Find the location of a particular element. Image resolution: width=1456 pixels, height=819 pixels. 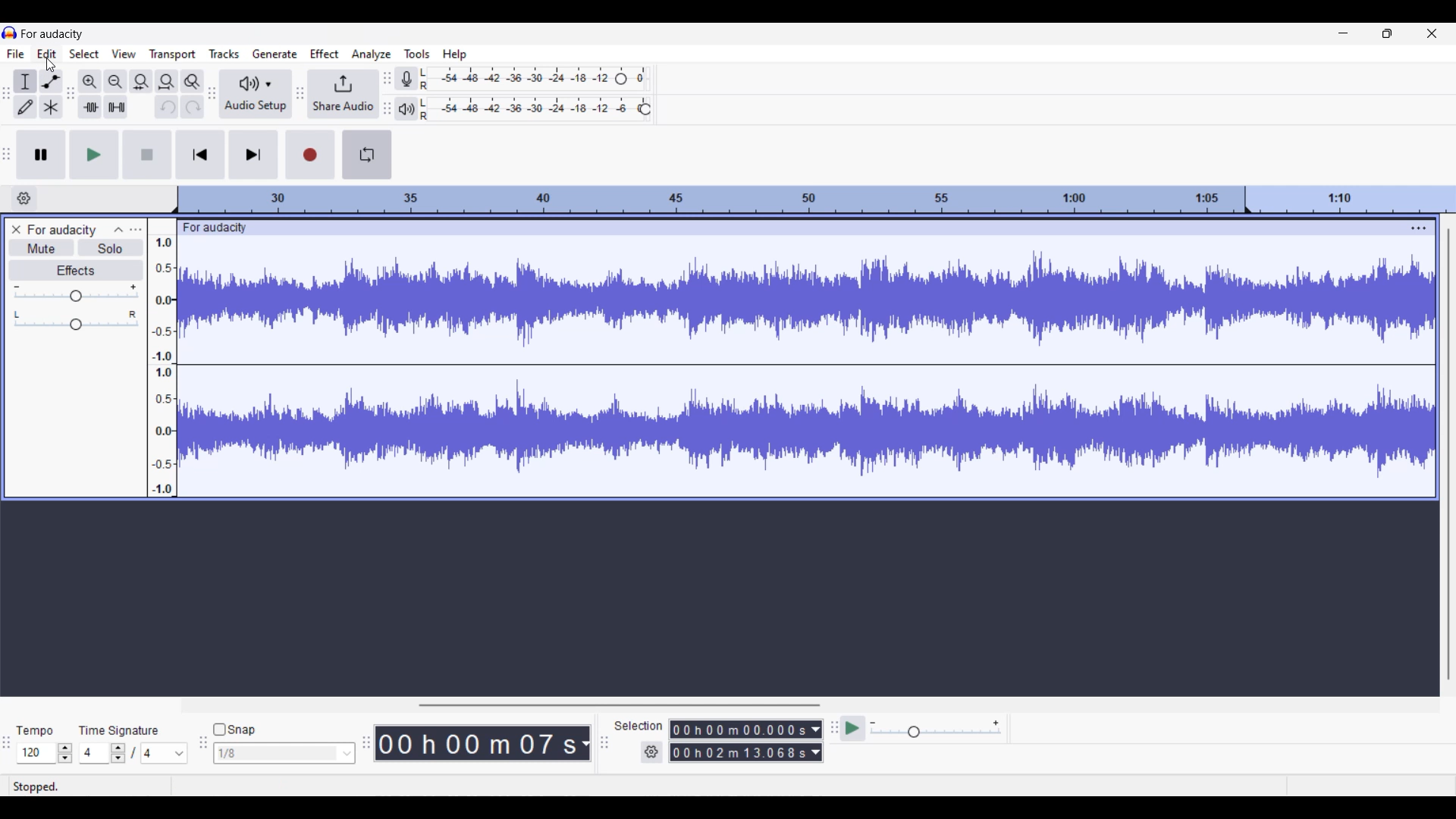

Undo is located at coordinates (165, 106).